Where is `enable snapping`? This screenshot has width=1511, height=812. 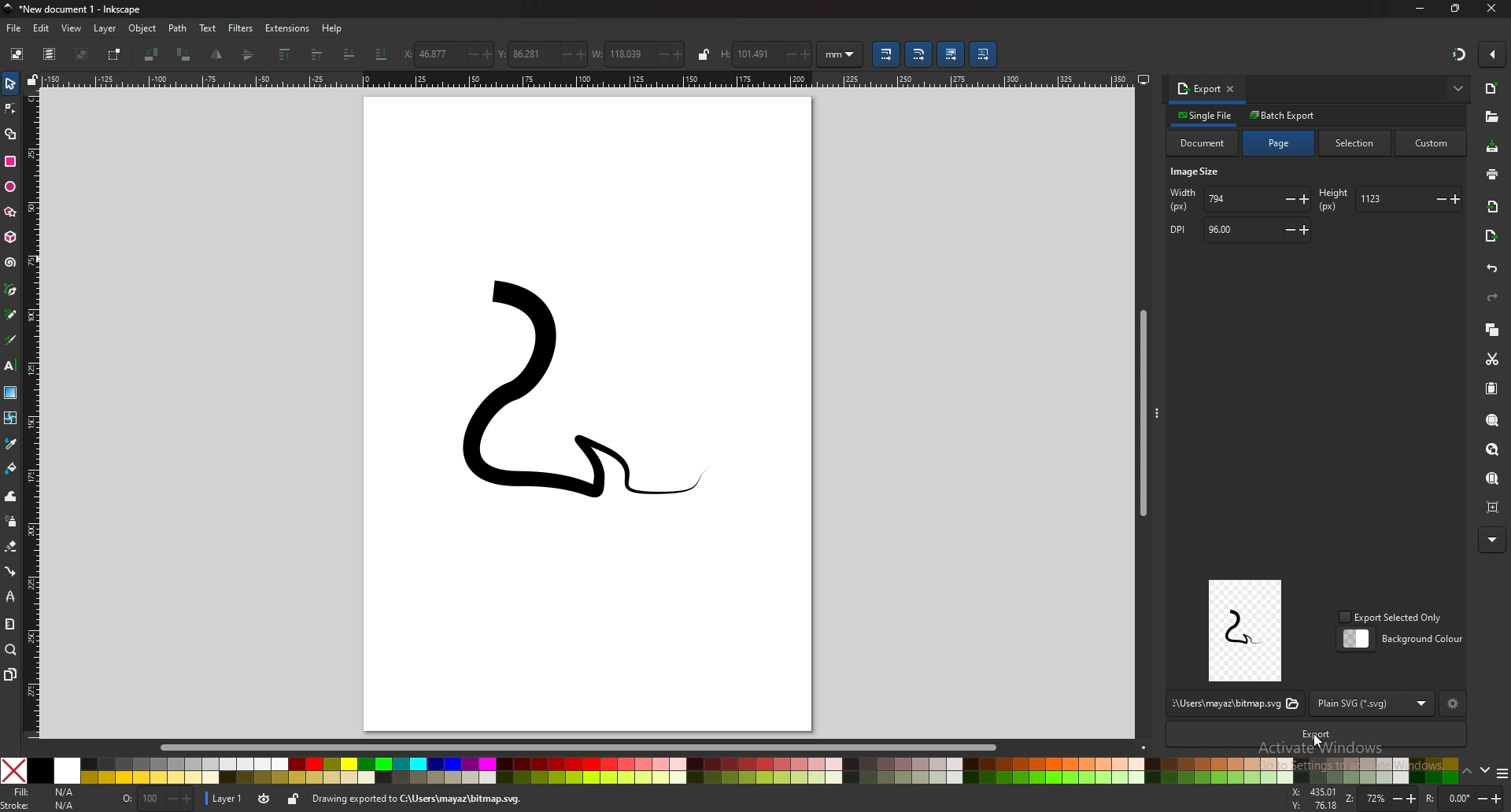
enable snapping is located at coordinates (1495, 54).